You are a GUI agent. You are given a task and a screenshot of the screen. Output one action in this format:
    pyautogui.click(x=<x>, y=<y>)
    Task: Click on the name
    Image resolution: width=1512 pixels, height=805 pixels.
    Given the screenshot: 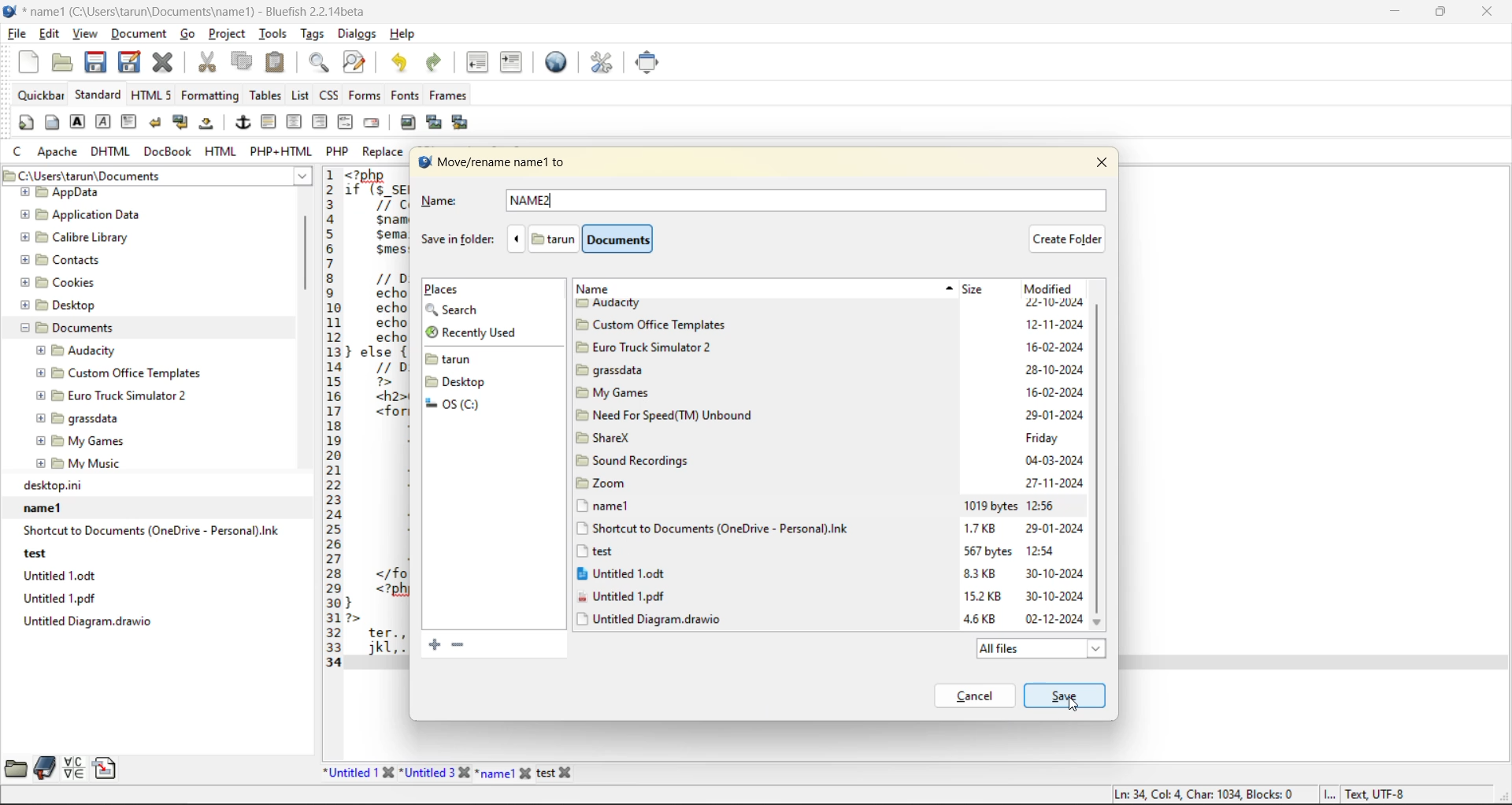 What is the action you would take?
    pyautogui.click(x=602, y=290)
    